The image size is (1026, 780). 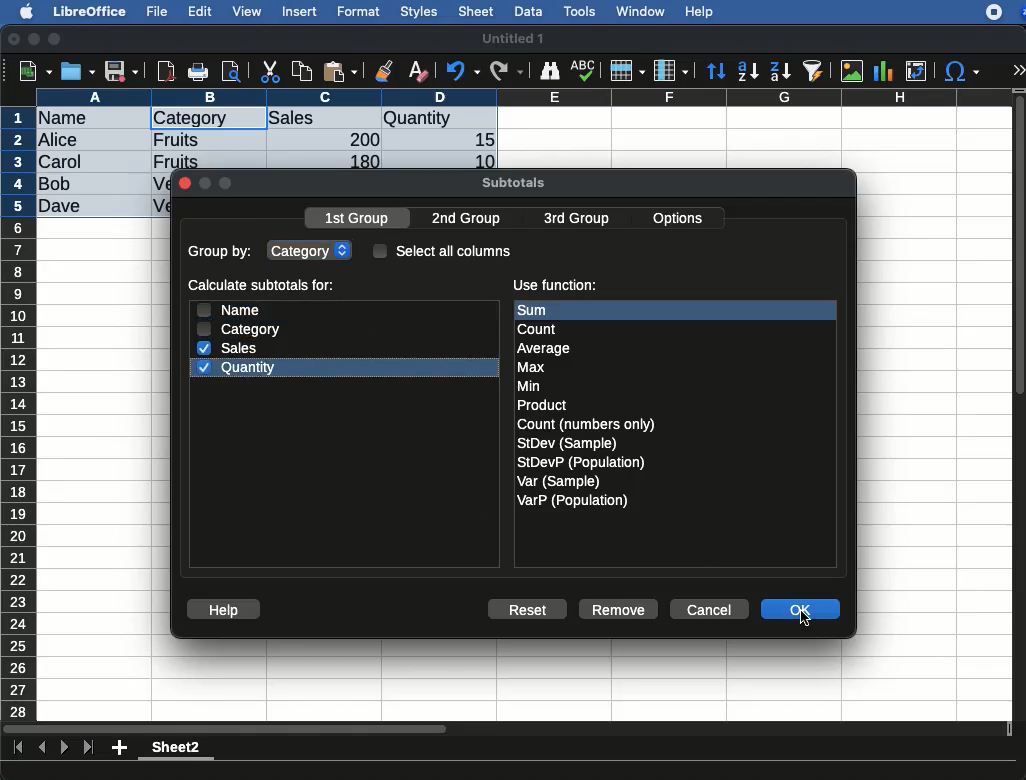 I want to click on undo, so click(x=463, y=71).